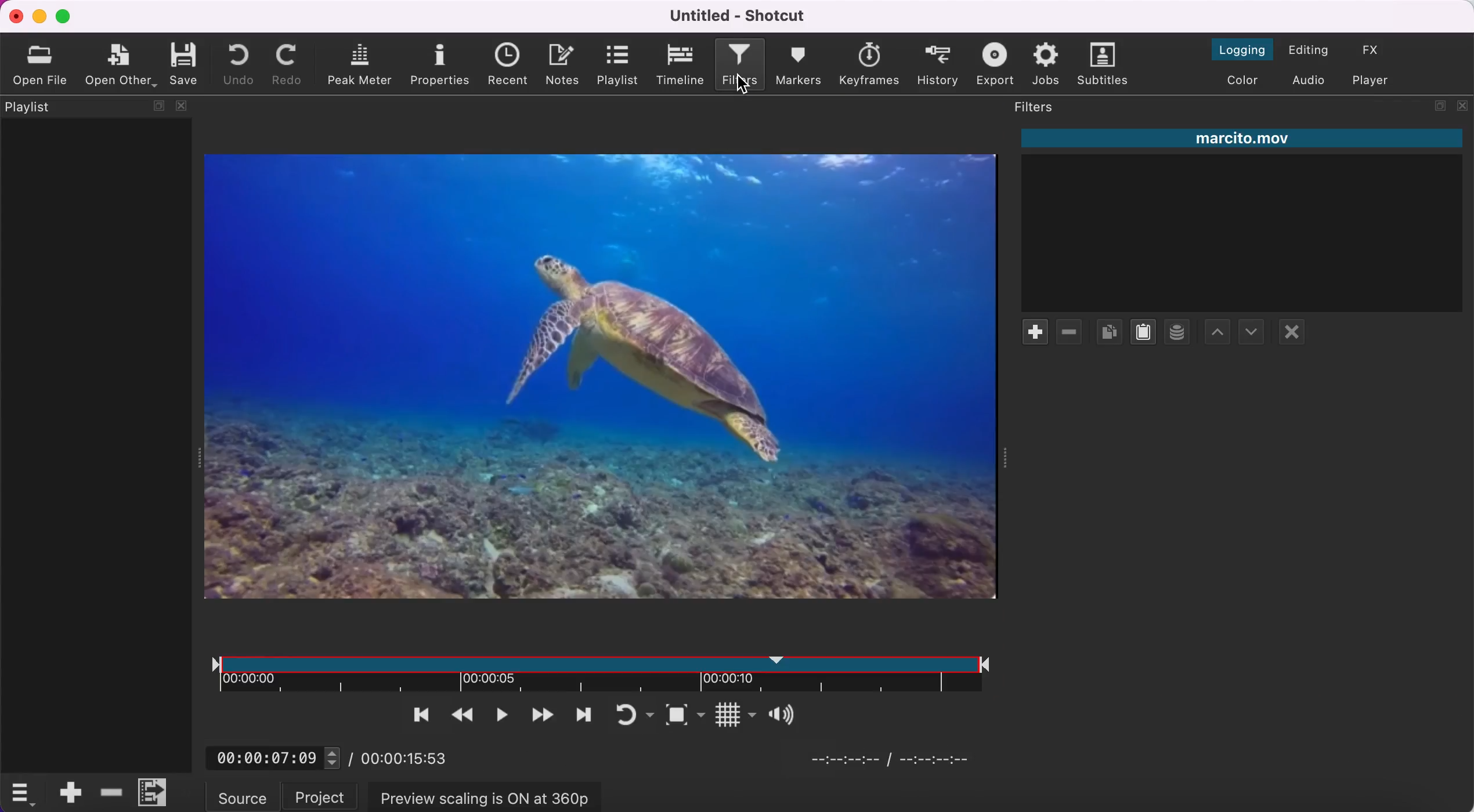 The image size is (1474, 812). I want to click on remove filter, so click(1072, 333).